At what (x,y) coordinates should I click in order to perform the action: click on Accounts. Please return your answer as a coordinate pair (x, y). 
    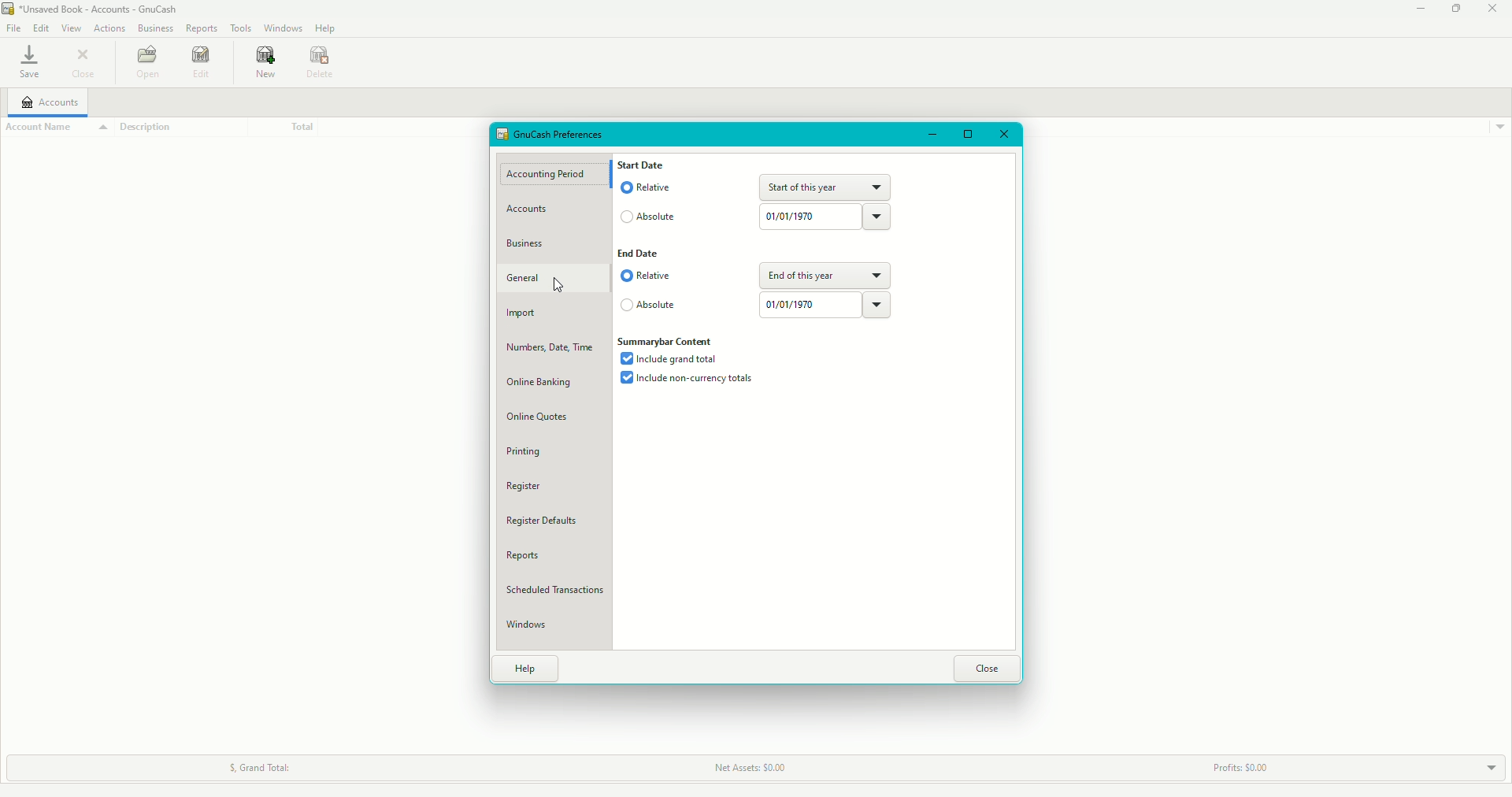
    Looking at the image, I should click on (49, 102).